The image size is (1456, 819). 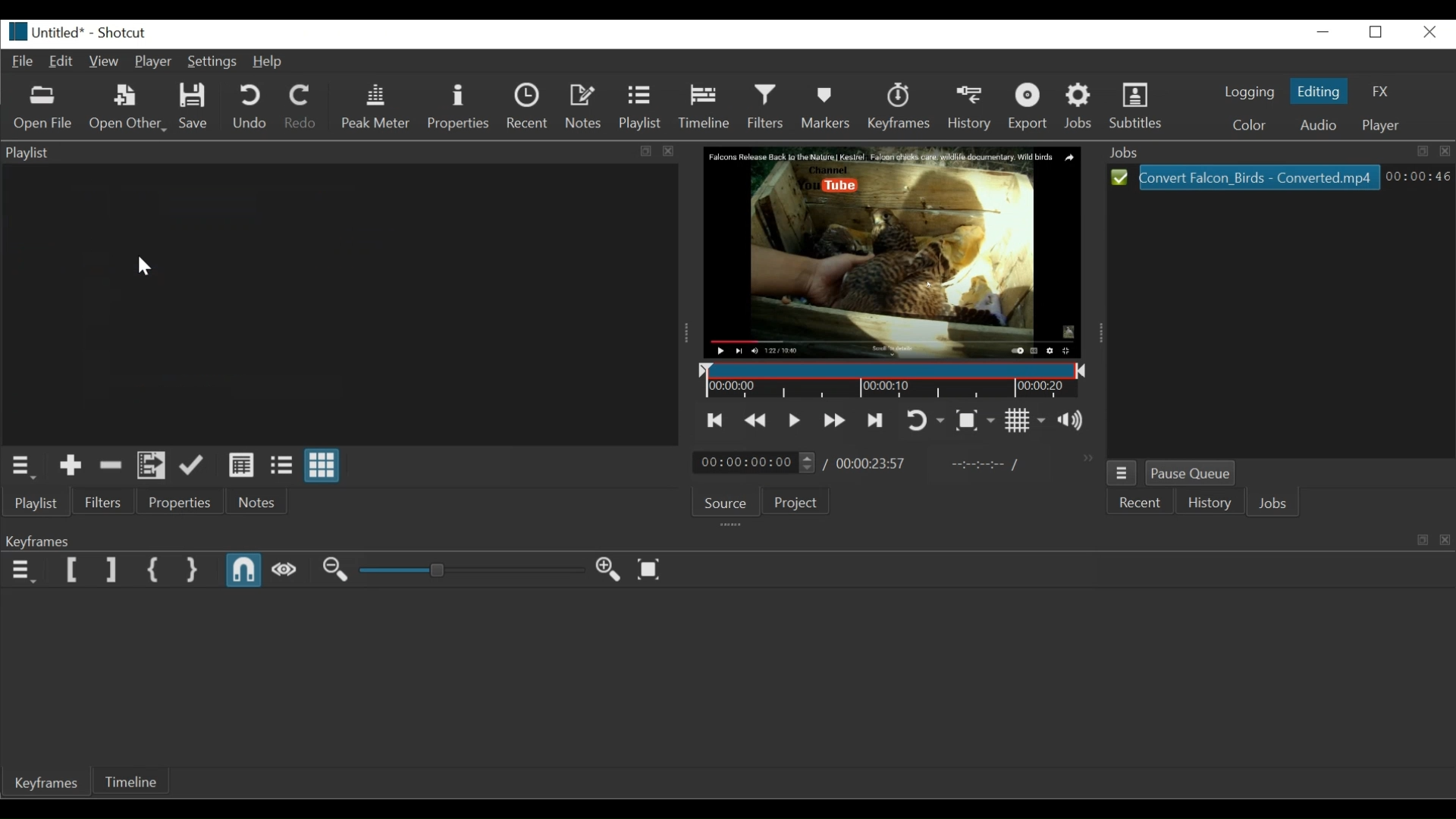 What do you see at coordinates (972, 108) in the screenshot?
I see `History` at bounding box center [972, 108].